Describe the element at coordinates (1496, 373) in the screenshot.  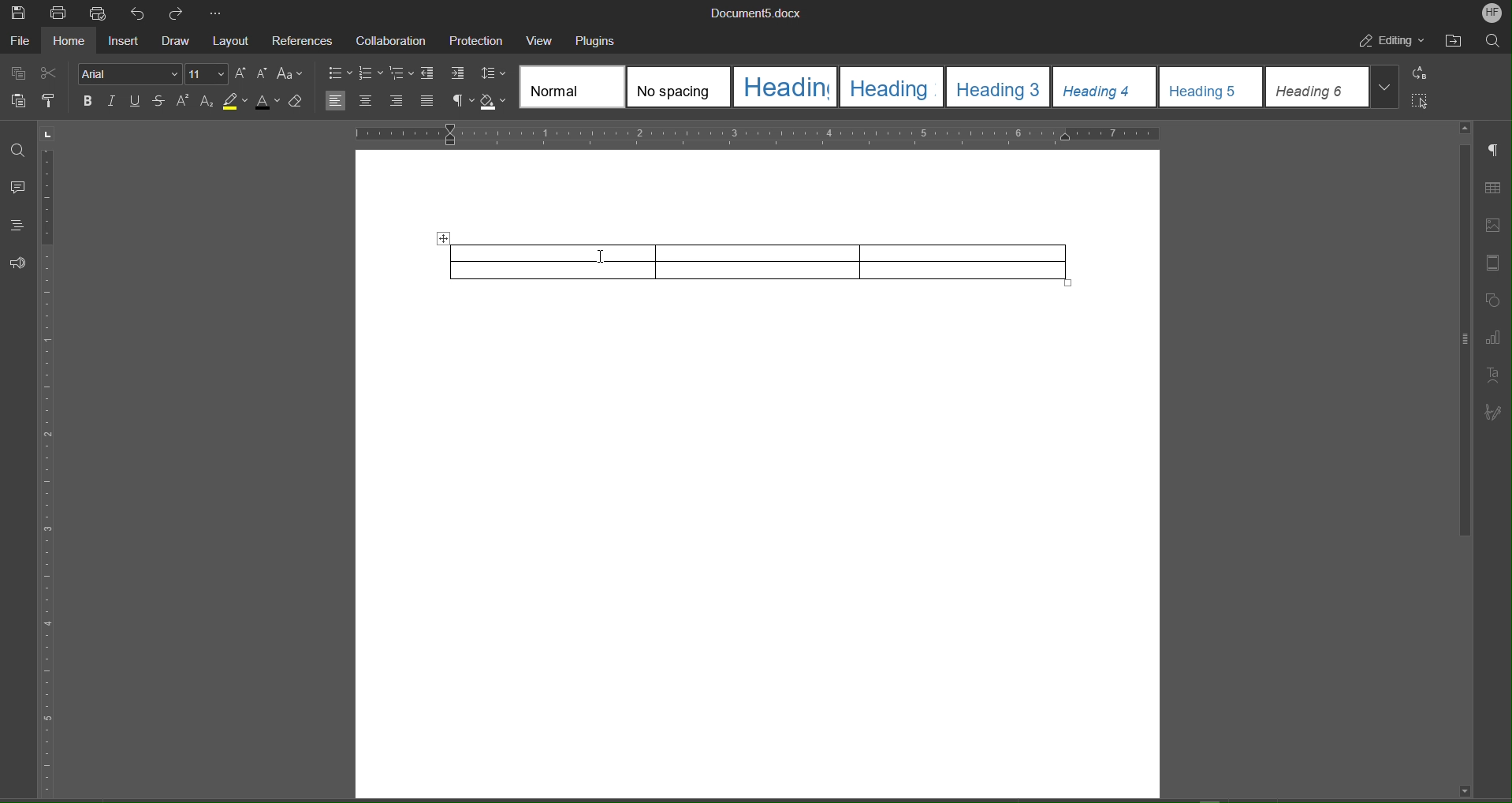
I see `Text Art` at that location.